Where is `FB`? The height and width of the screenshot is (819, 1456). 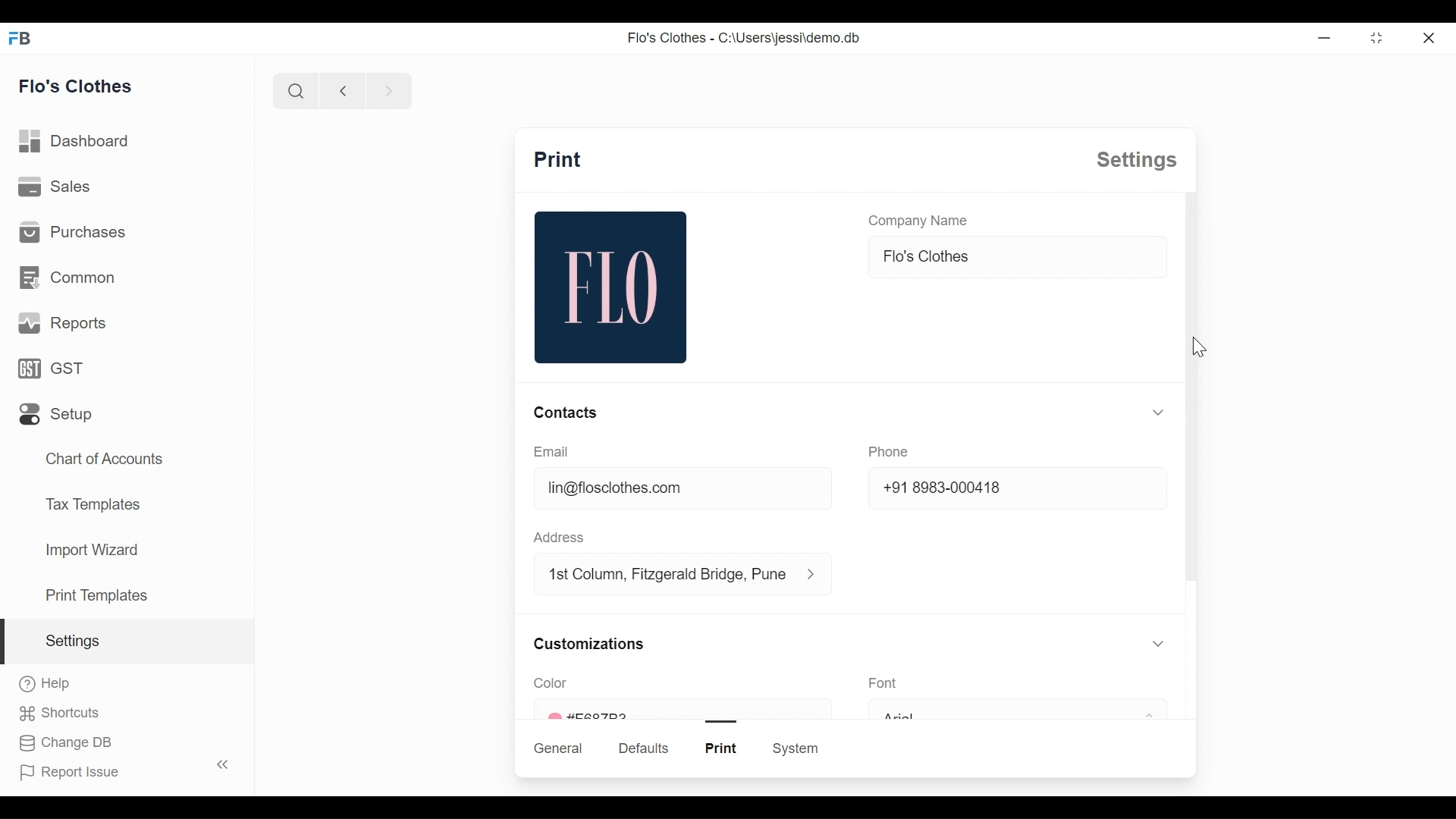
FB is located at coordinates (21, 37).